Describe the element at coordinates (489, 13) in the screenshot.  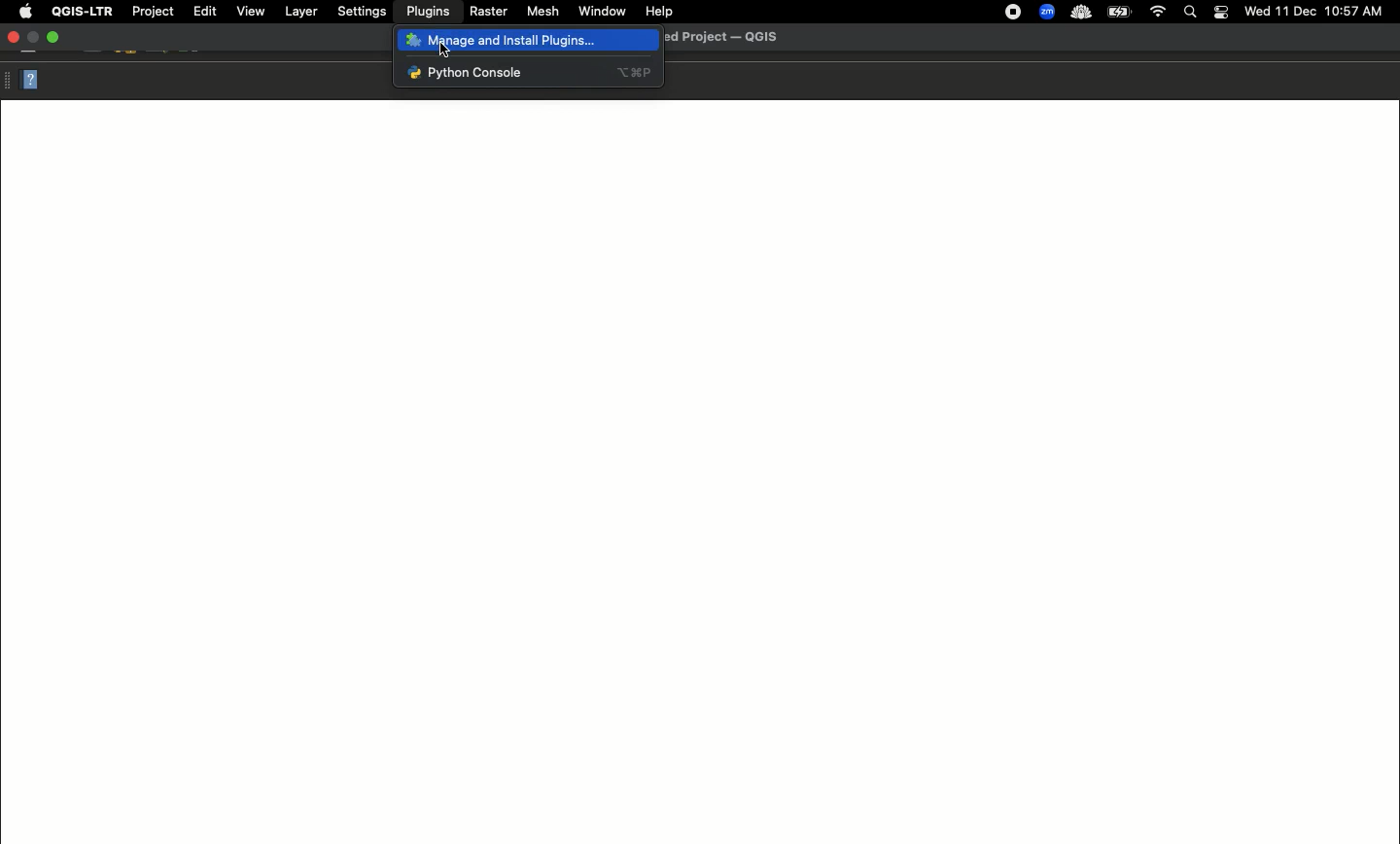
I see `Raster` at that location.